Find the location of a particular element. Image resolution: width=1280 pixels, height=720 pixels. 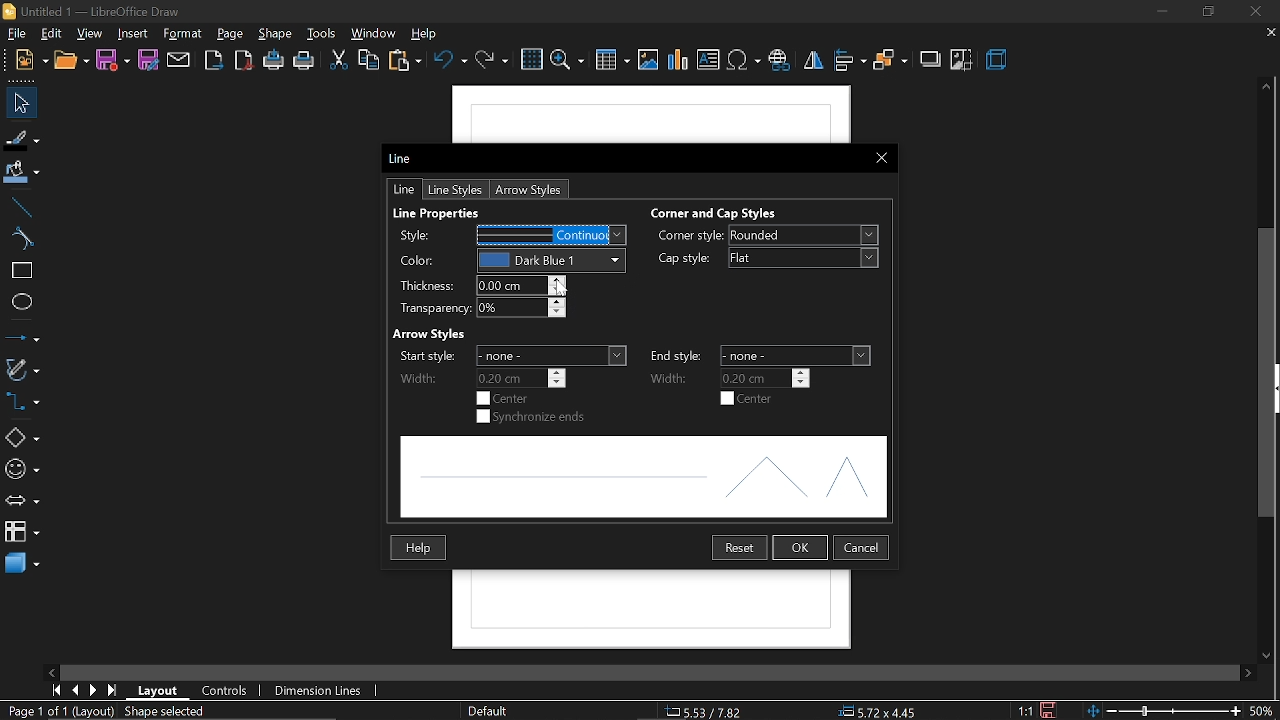

save as is located at coordinates (147, 61).